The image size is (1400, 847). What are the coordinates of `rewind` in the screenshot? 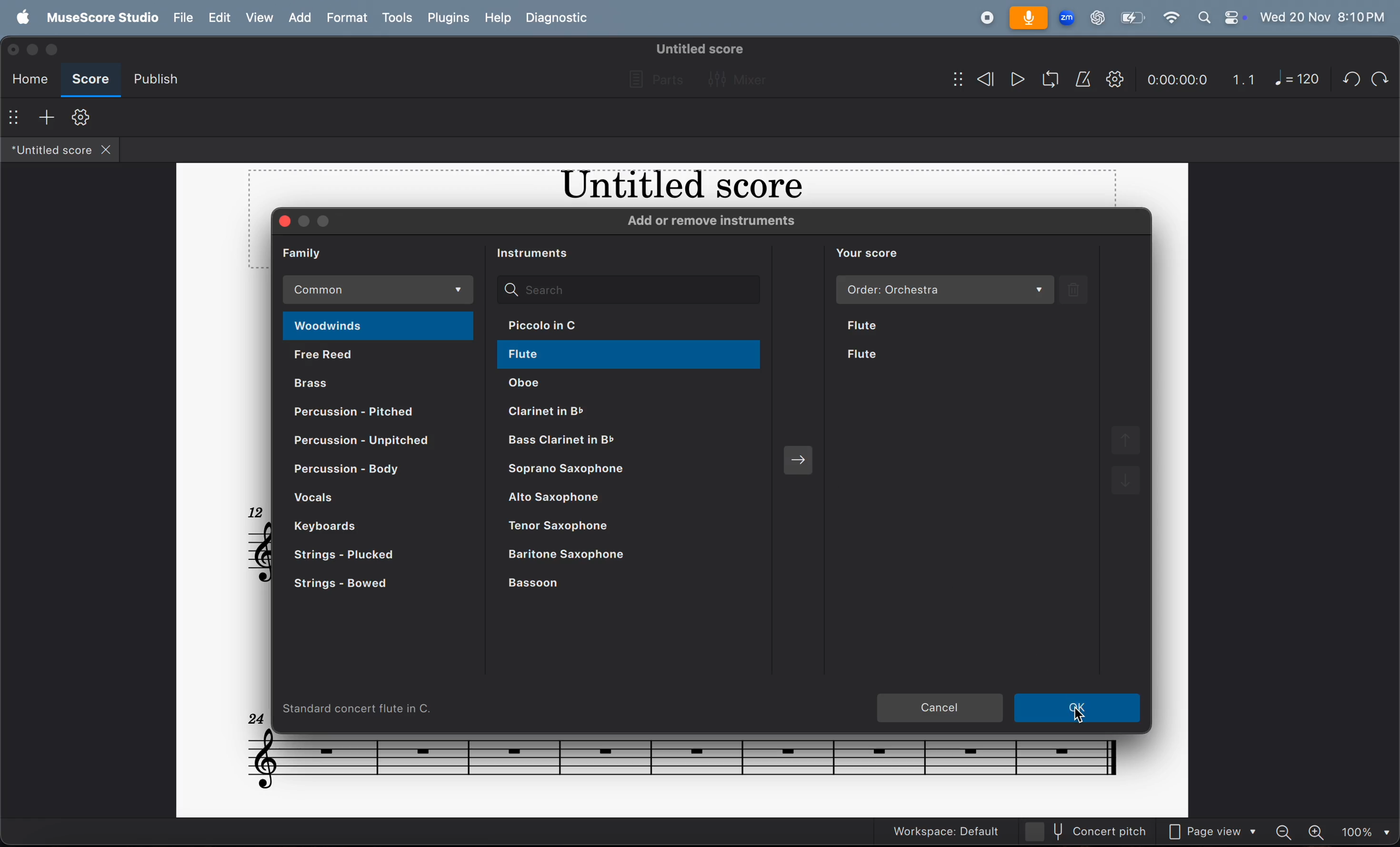 It's located at (983, 78).